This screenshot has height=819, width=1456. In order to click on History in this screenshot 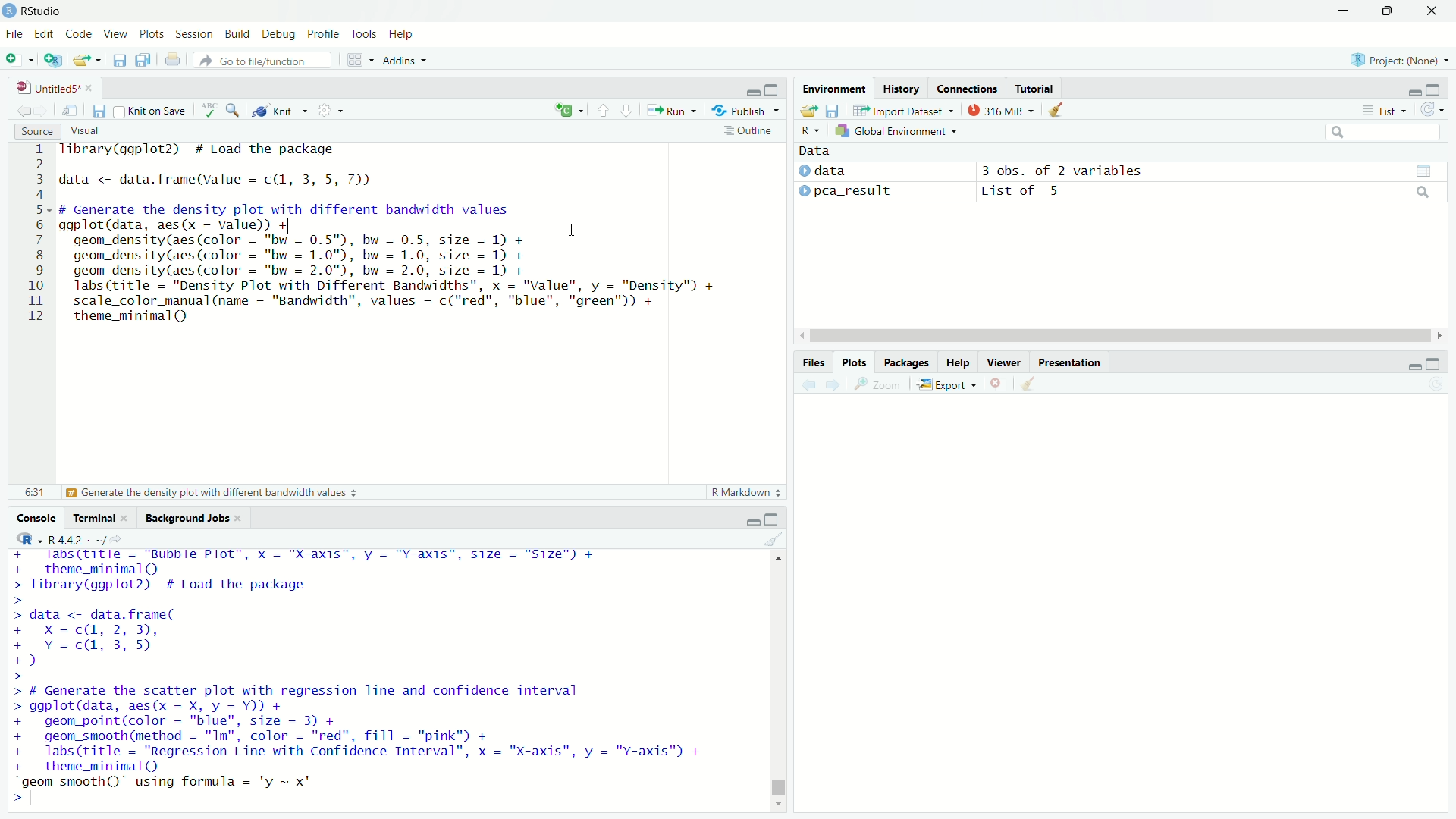, I will do `click(901, 87)`.